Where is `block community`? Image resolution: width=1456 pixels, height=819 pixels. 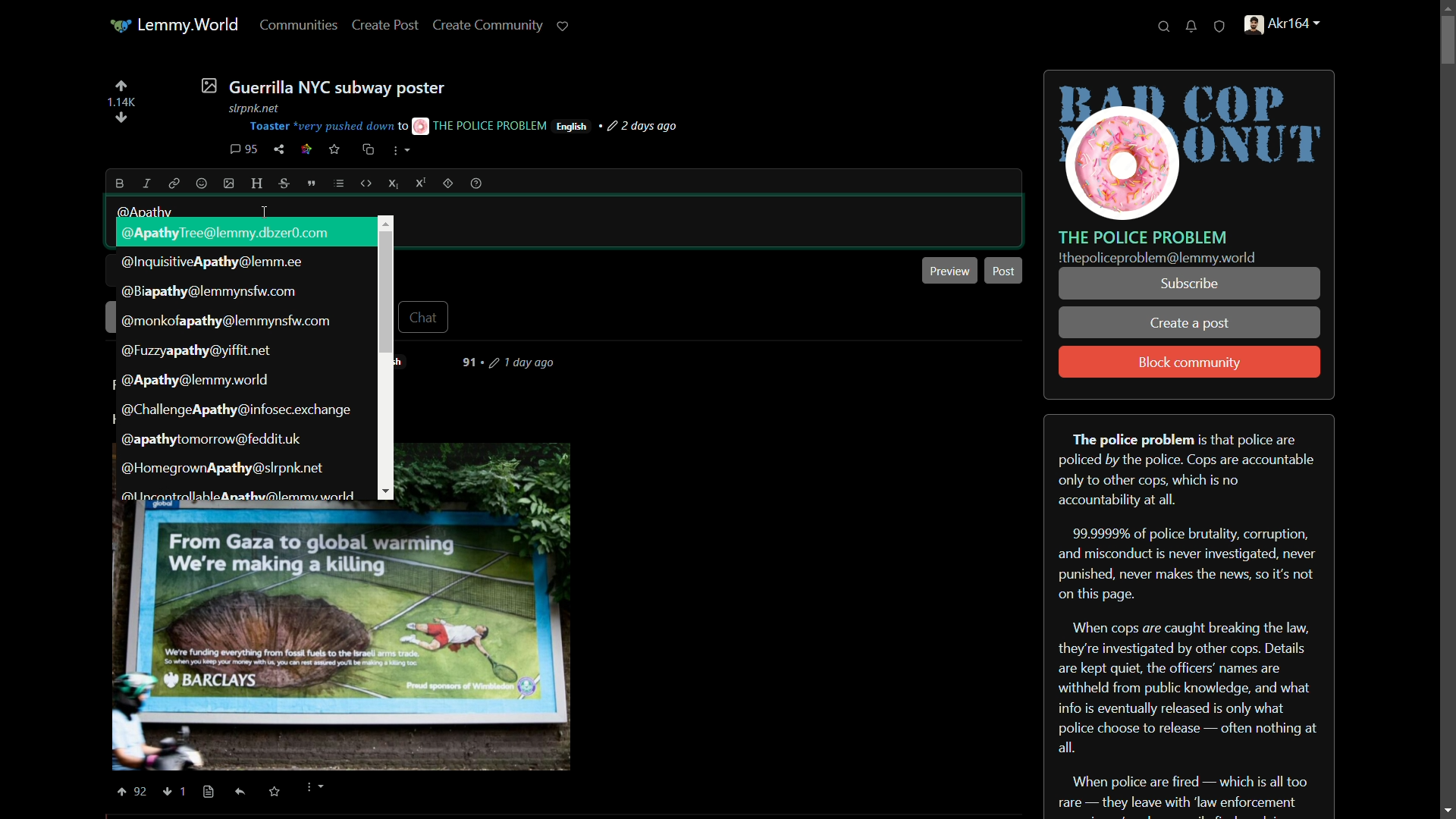 block community is located at coordinates (1190, 363).